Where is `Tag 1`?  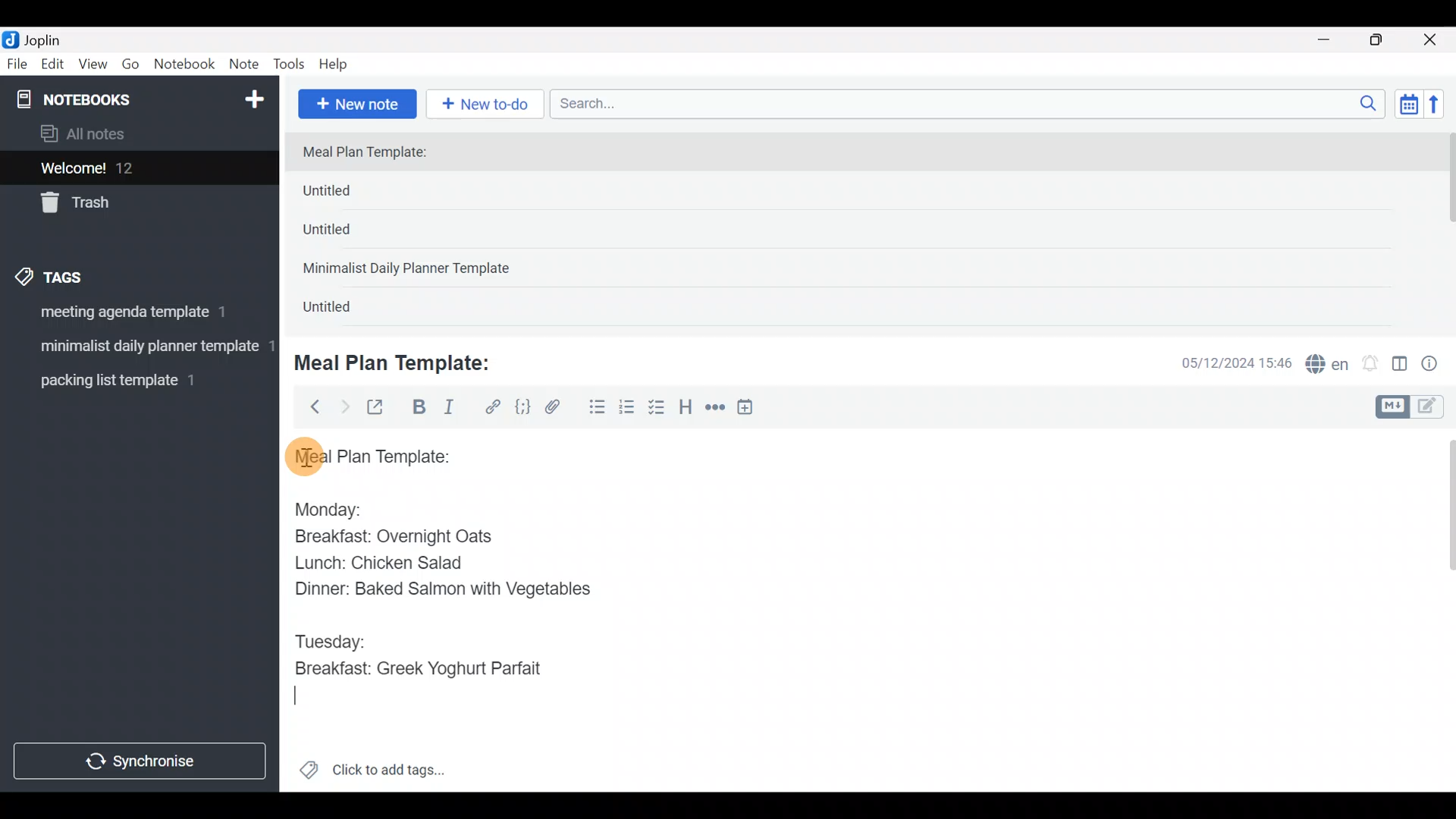 Tag 1 is located at coordinates (135, 316).